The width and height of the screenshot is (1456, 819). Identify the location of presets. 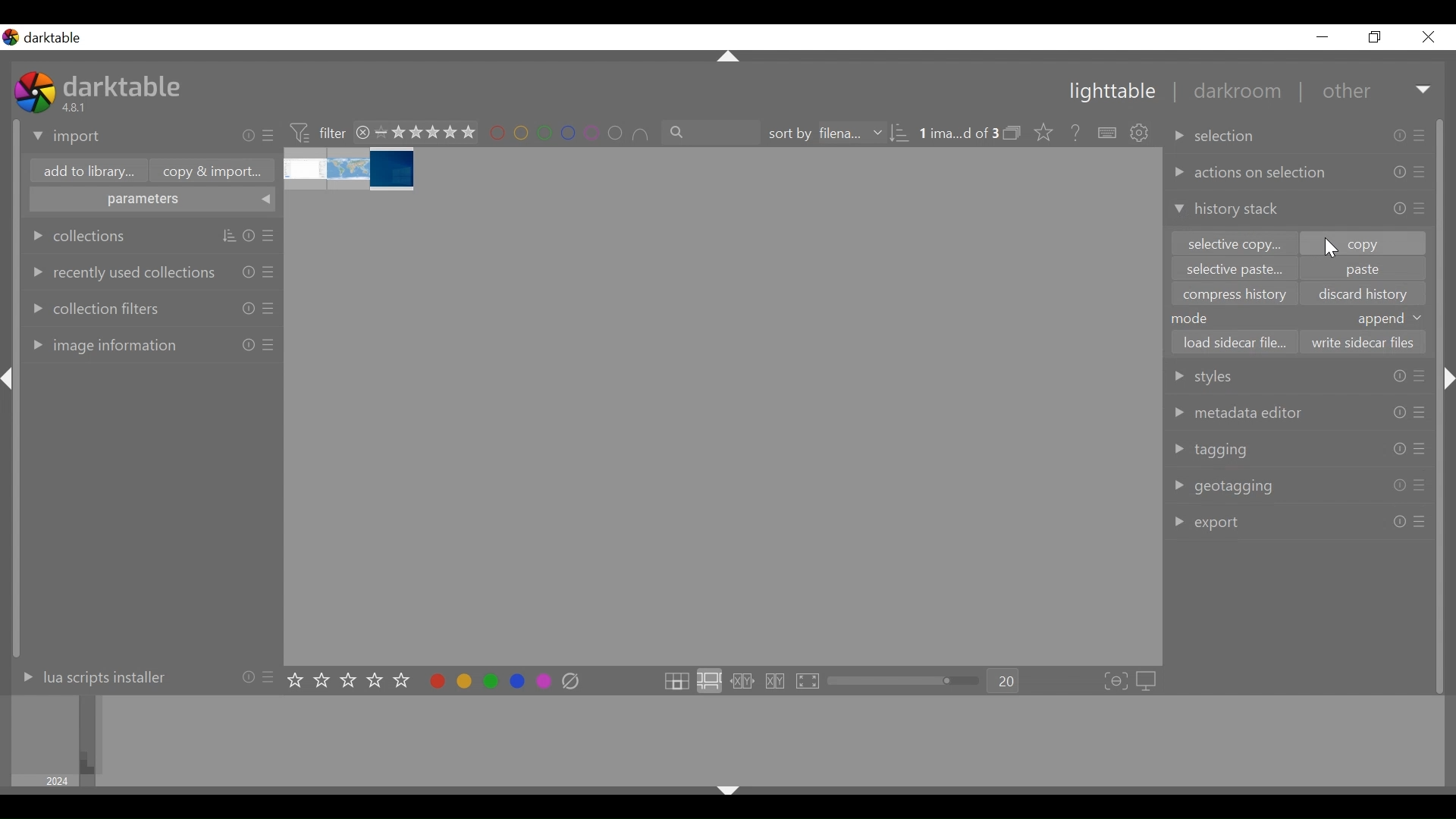
(1420, 450).